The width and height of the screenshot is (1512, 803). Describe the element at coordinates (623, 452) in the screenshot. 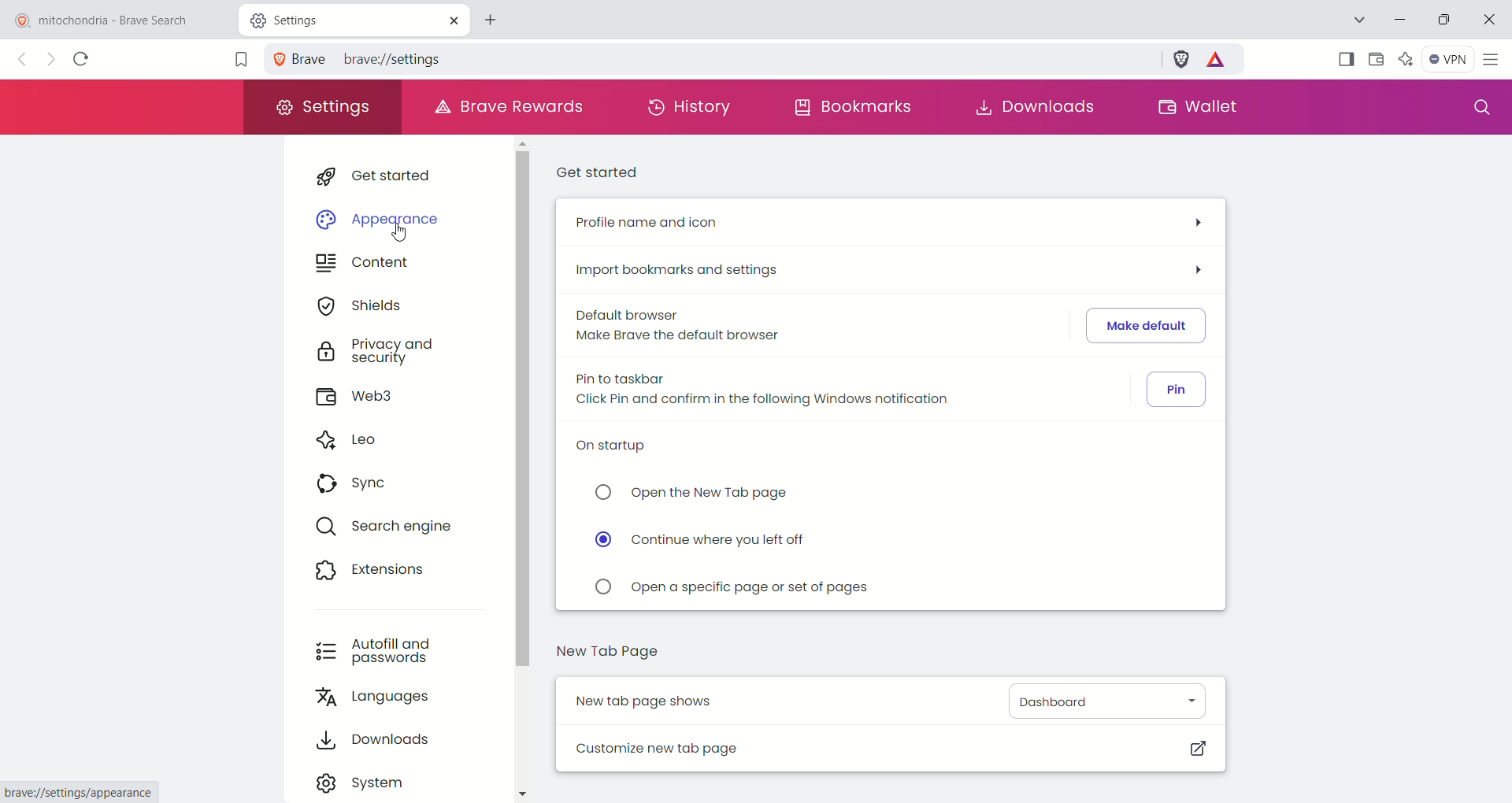

I see `on startup` at that location.